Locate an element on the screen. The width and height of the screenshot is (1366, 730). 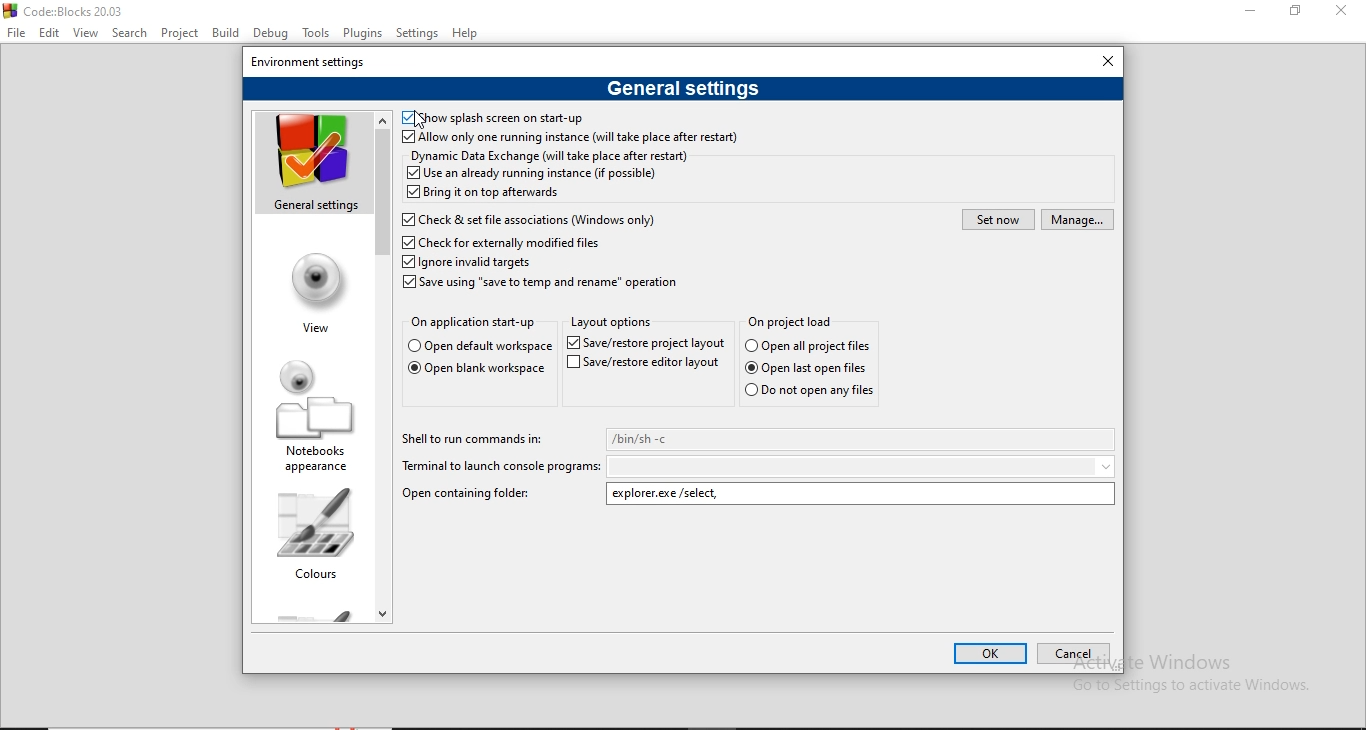
Check for externally modified files is located at coordinates (527, 218).